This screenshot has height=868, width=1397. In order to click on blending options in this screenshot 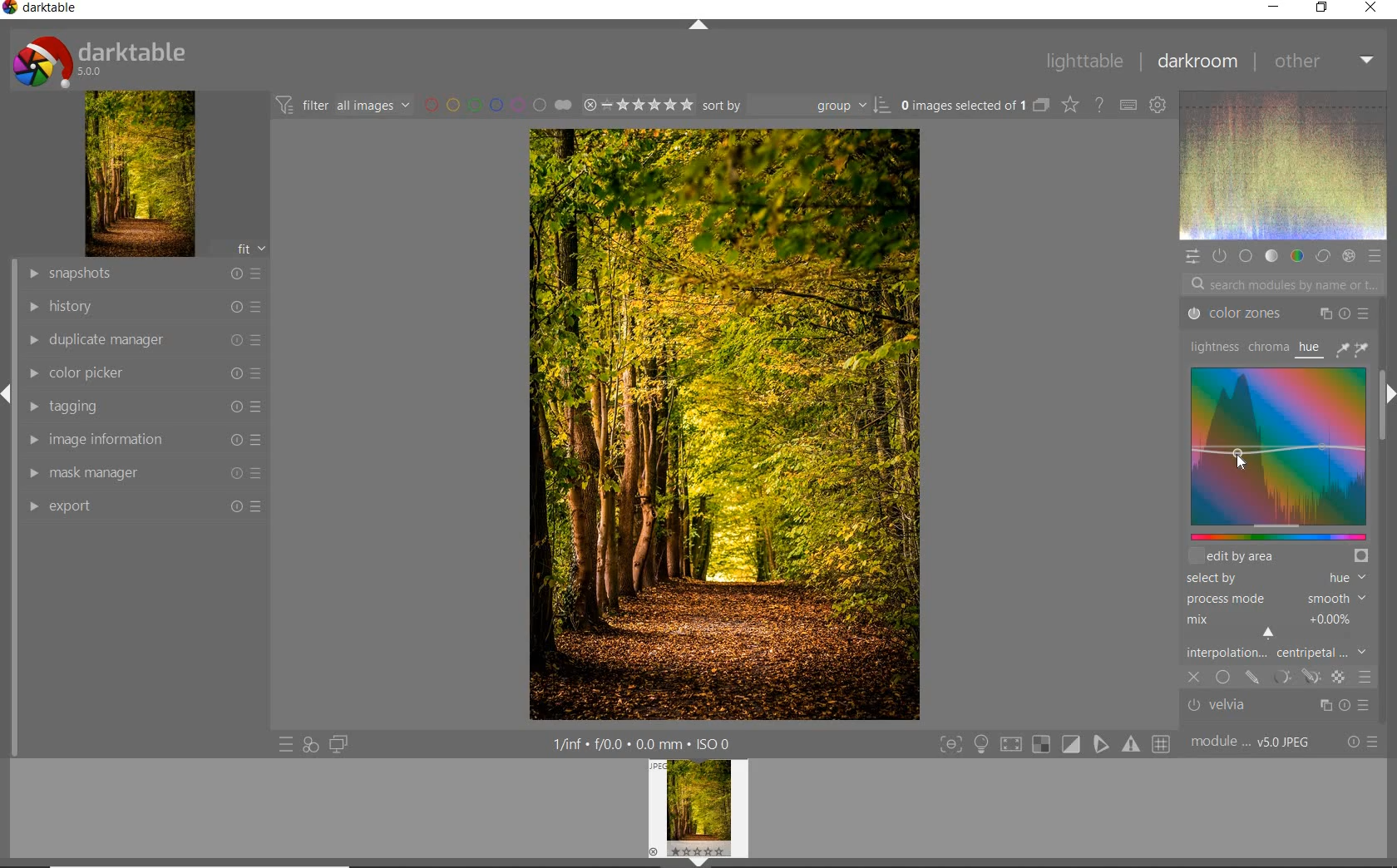, I will do `click(1365, 678)`.